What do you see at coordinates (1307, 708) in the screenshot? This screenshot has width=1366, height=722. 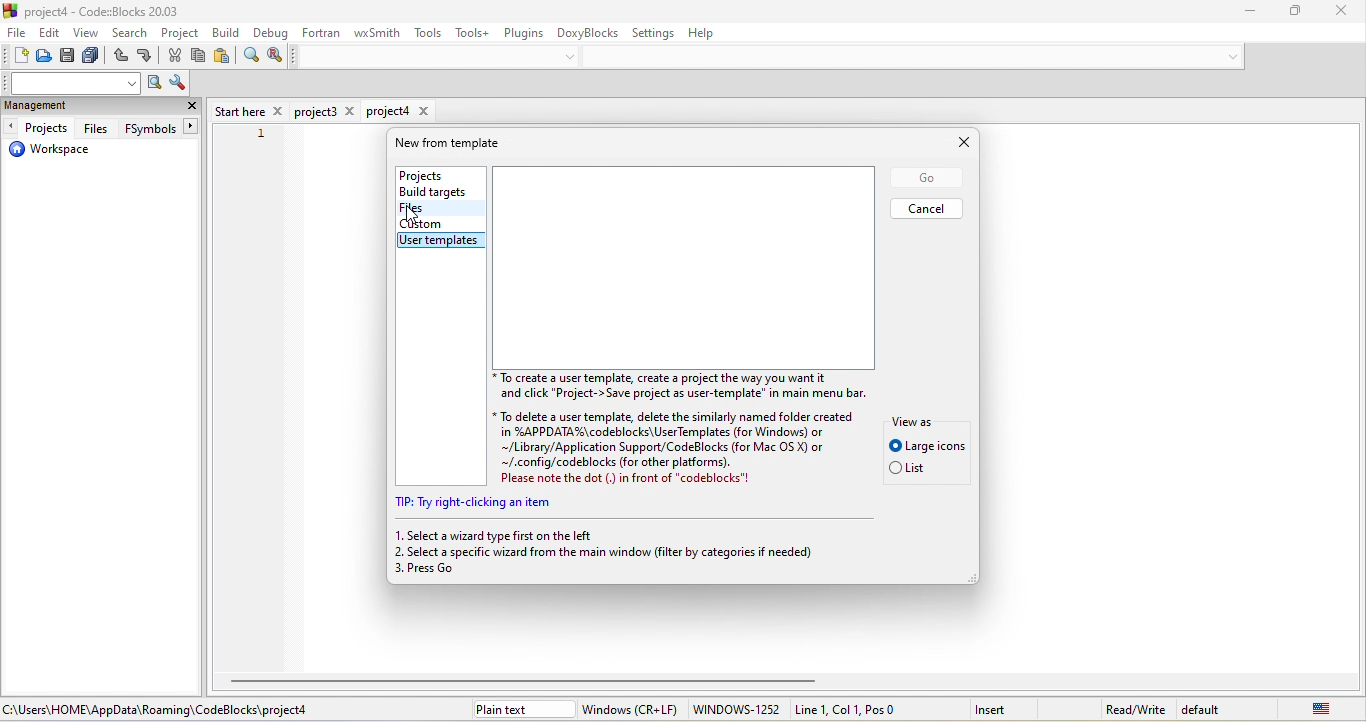 I see `united state` at bounding box center [1307, 708].